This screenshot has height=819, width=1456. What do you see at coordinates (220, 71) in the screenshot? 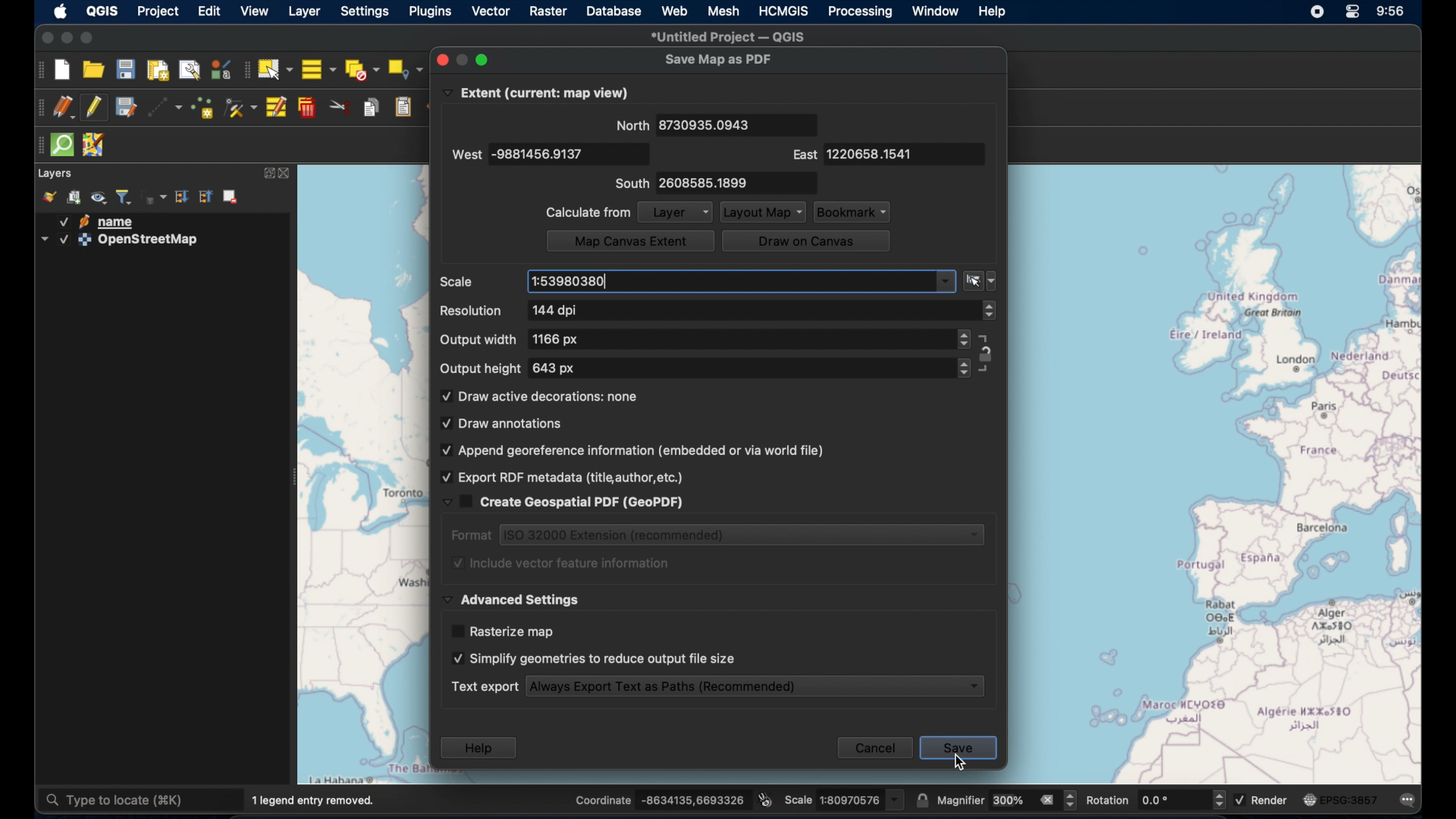
I see `style manager` at bounding box center [220, 71].